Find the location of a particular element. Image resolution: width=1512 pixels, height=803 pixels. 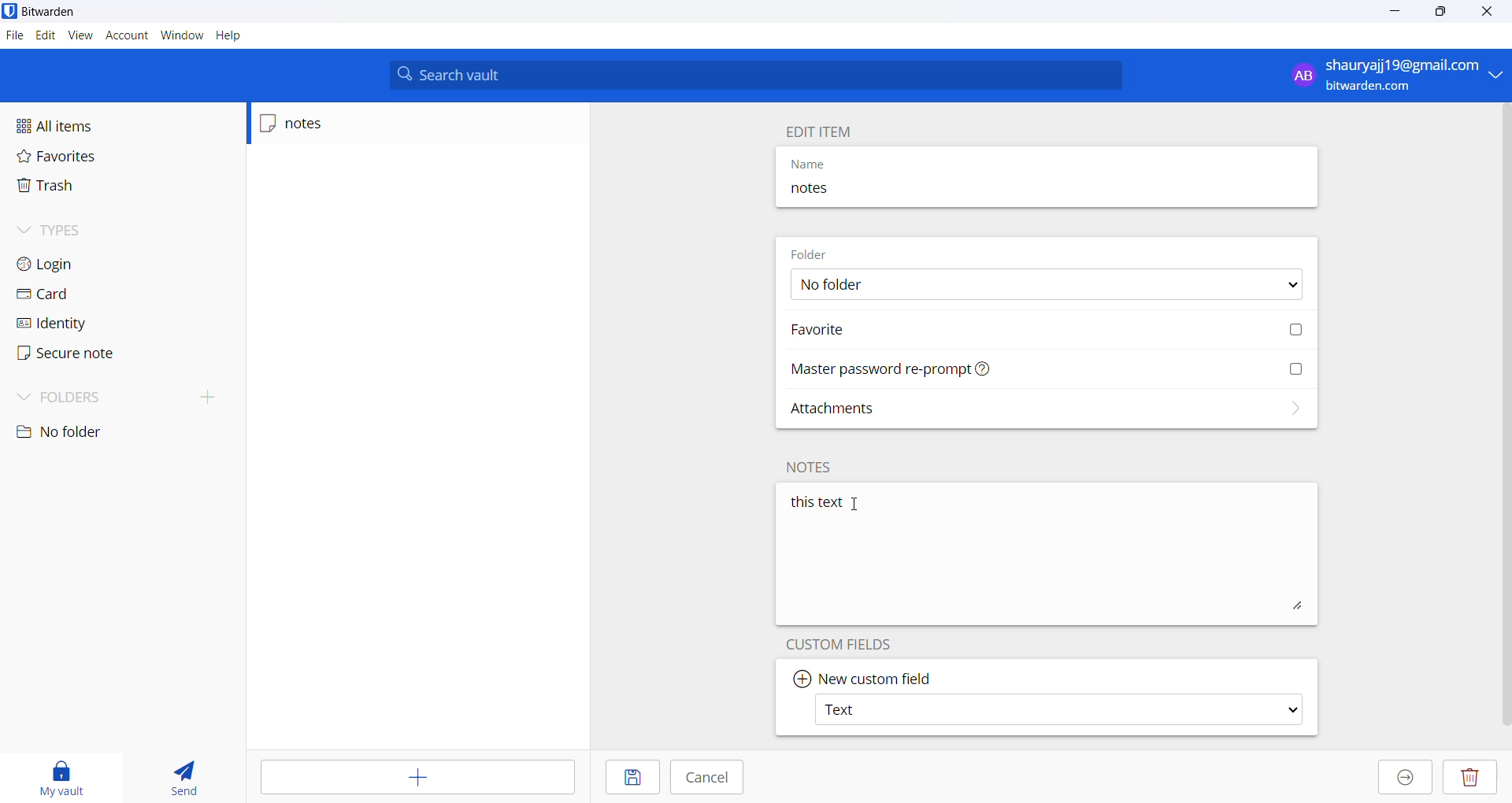

card is located at coordinates (69, 298).